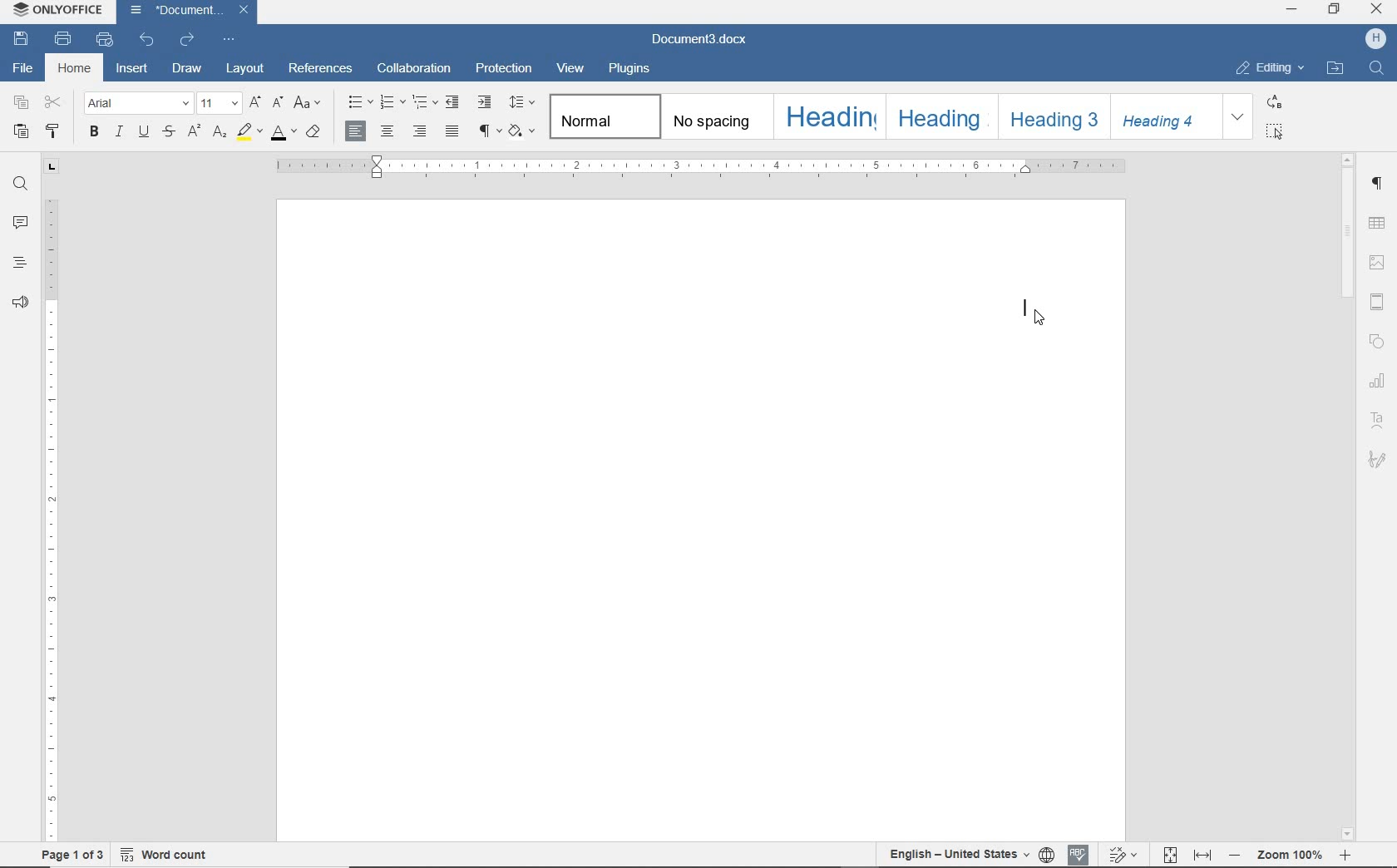 Image resolution: width=1397 pixels, height=868 pixels. What do you see at coordinates (1379, 264) in the screenshot?
I see `IMAGE` at bounding box center [1379, 264].